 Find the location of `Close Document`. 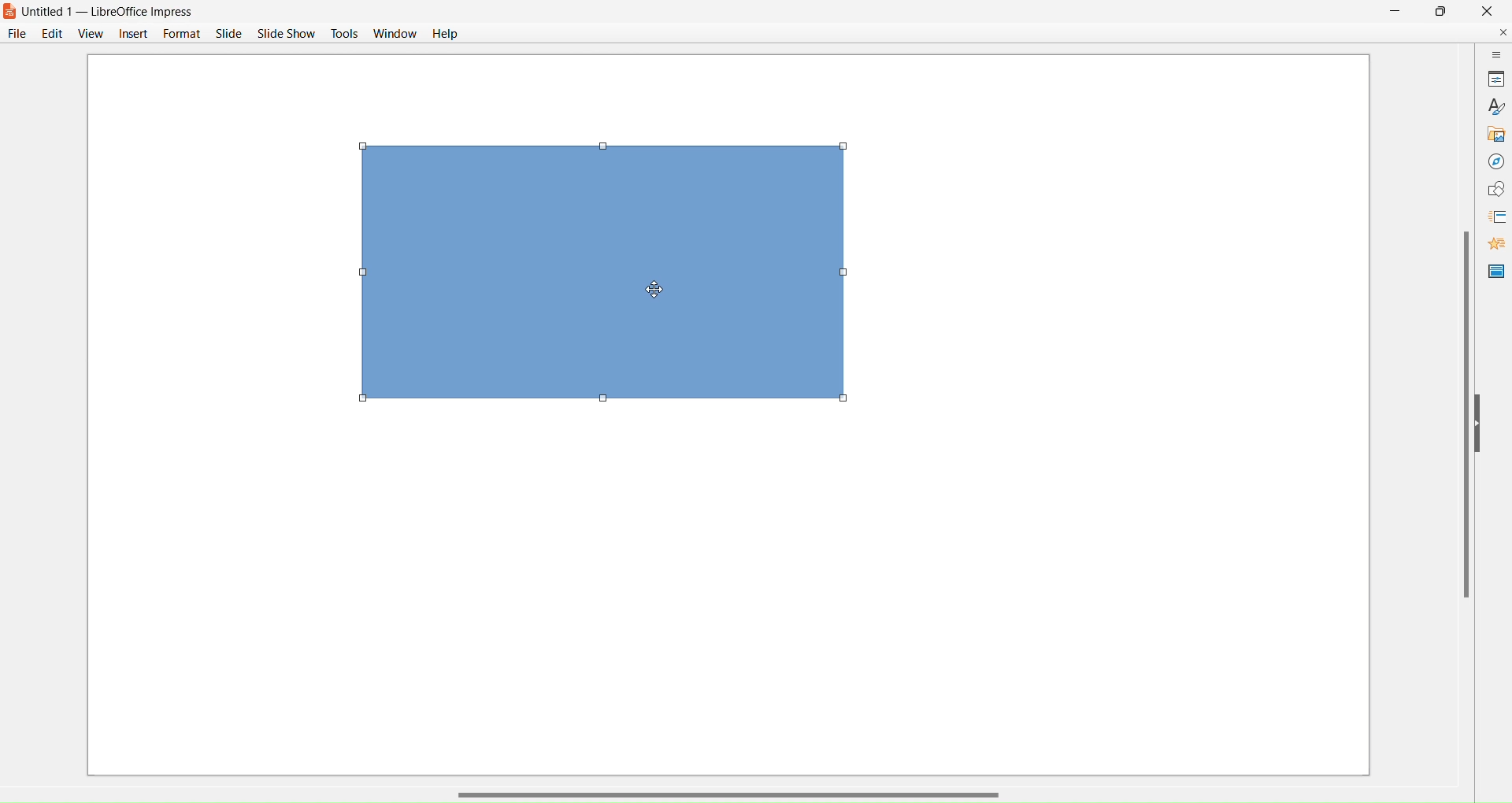

Close Document is located at coordinates (1502, 31).